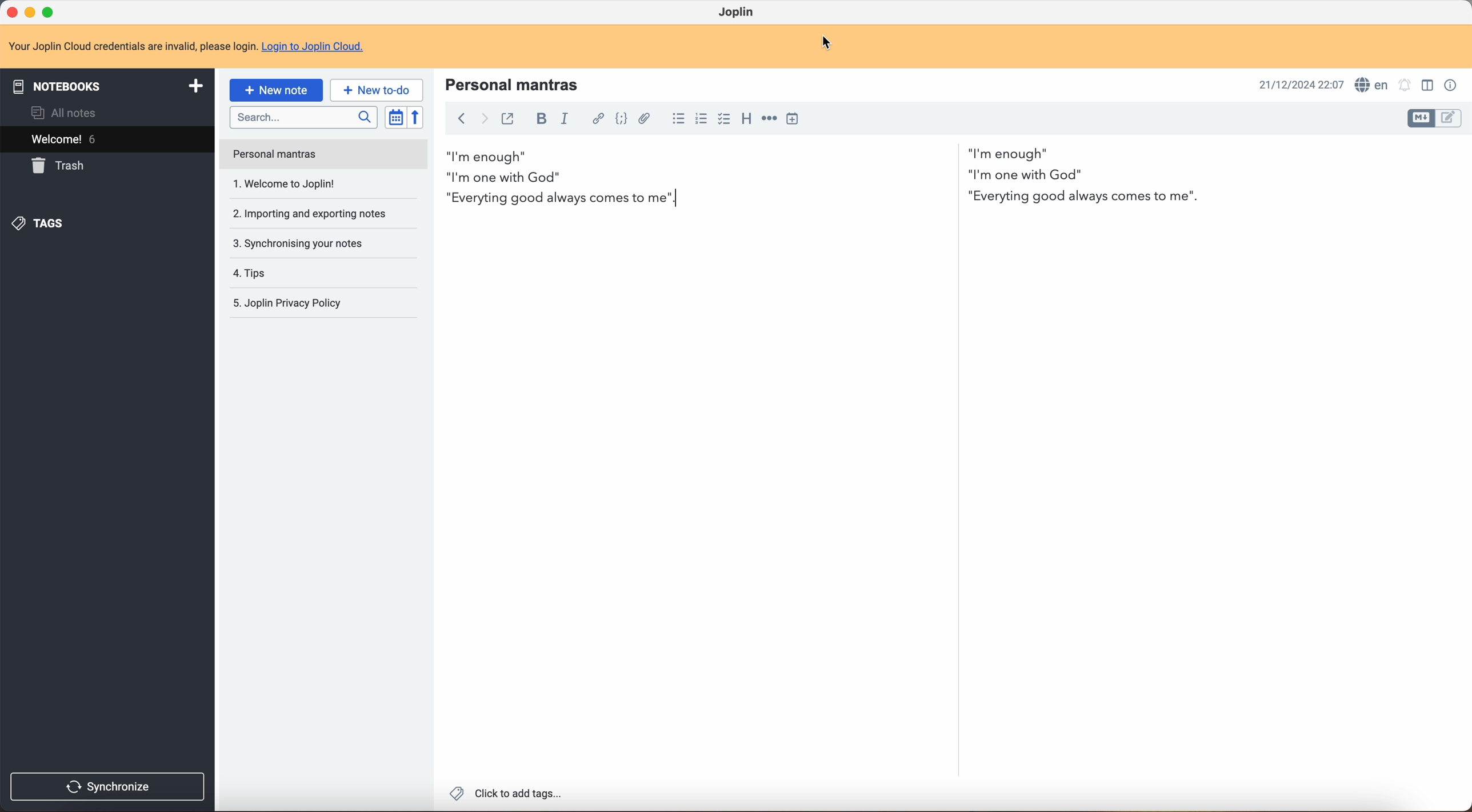 Image resolution: width=1472 pixels, height=812 pixels. What do you see at coordinates (277, 91) in the screenshot?
I see `click on new note` at bounding box center [277, 91].